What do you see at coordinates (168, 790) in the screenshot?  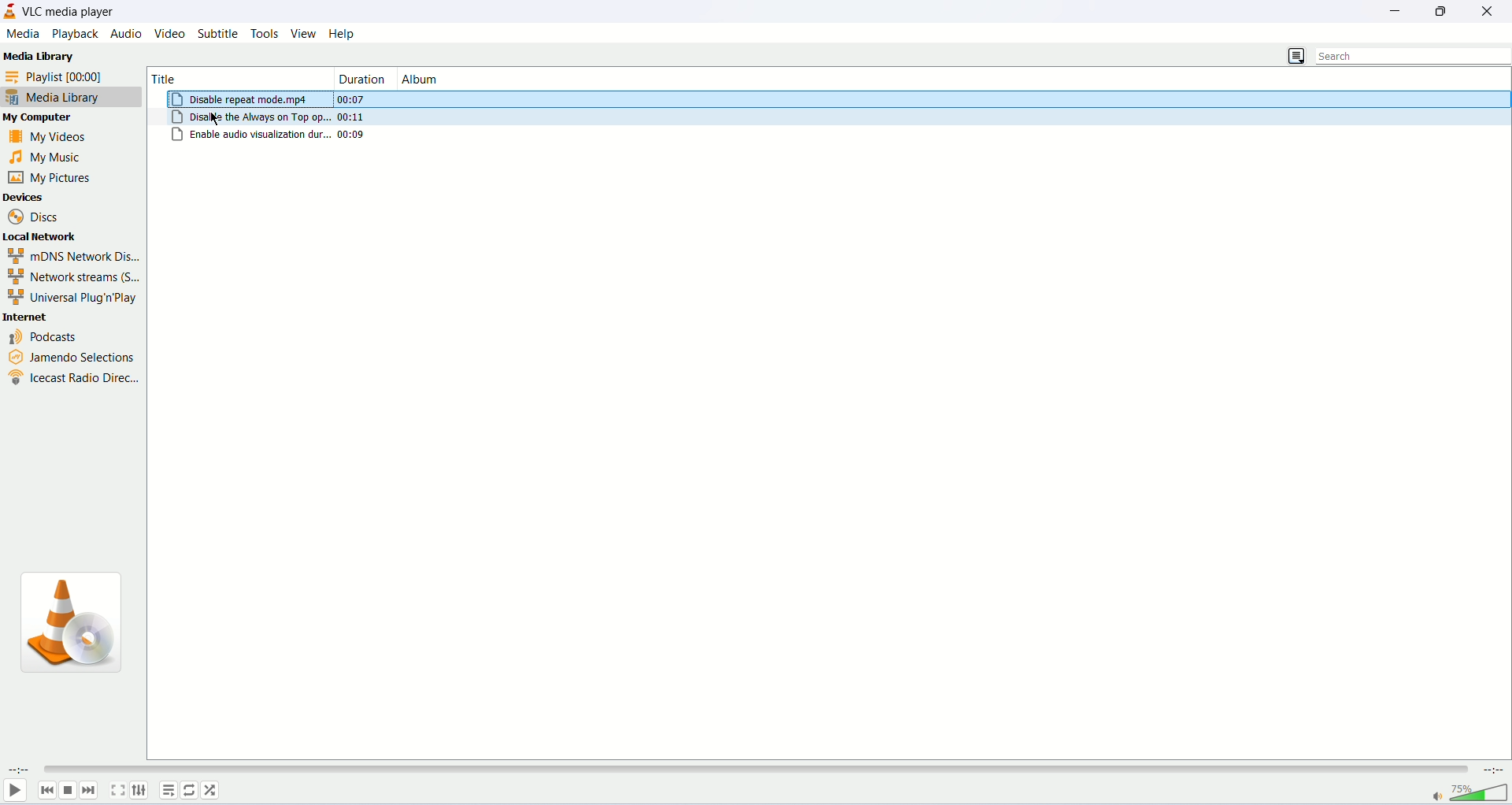 I see `playlist` at bounding box center [168, 790].